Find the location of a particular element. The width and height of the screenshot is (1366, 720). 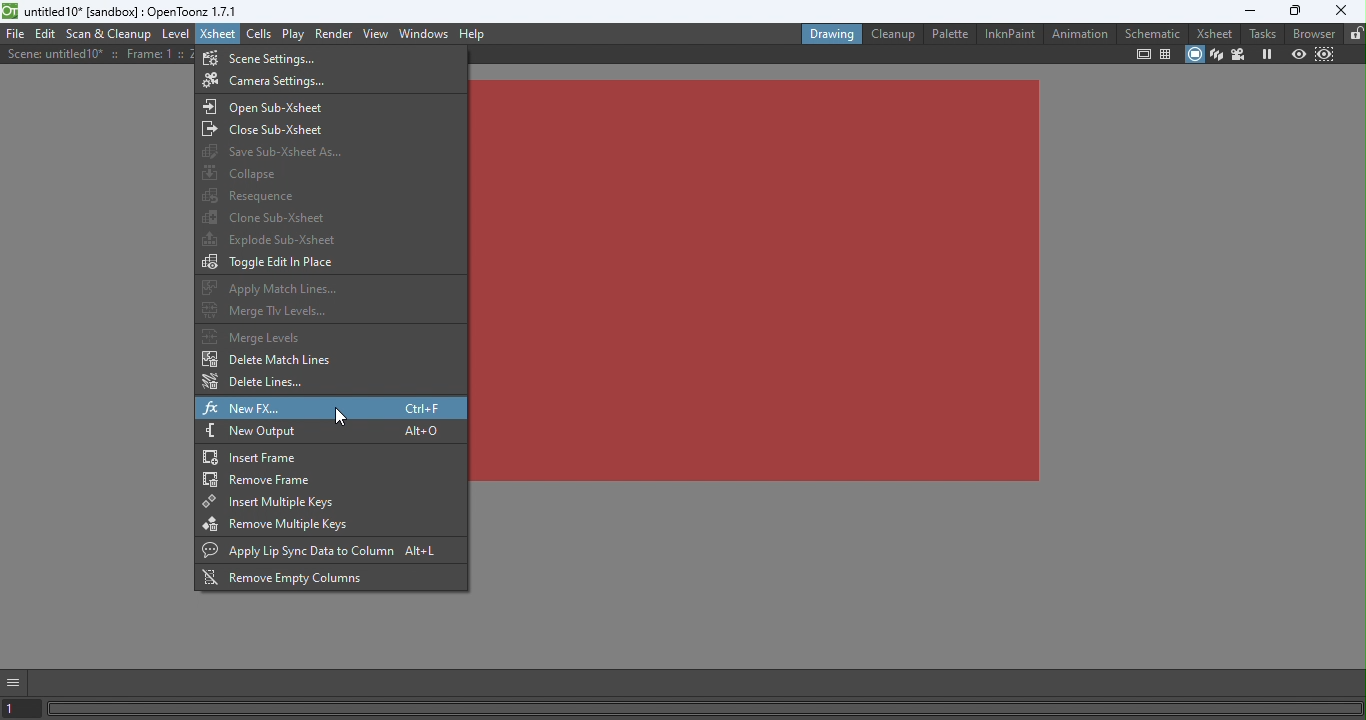

Field guide is located at coordinates (1164, 56).